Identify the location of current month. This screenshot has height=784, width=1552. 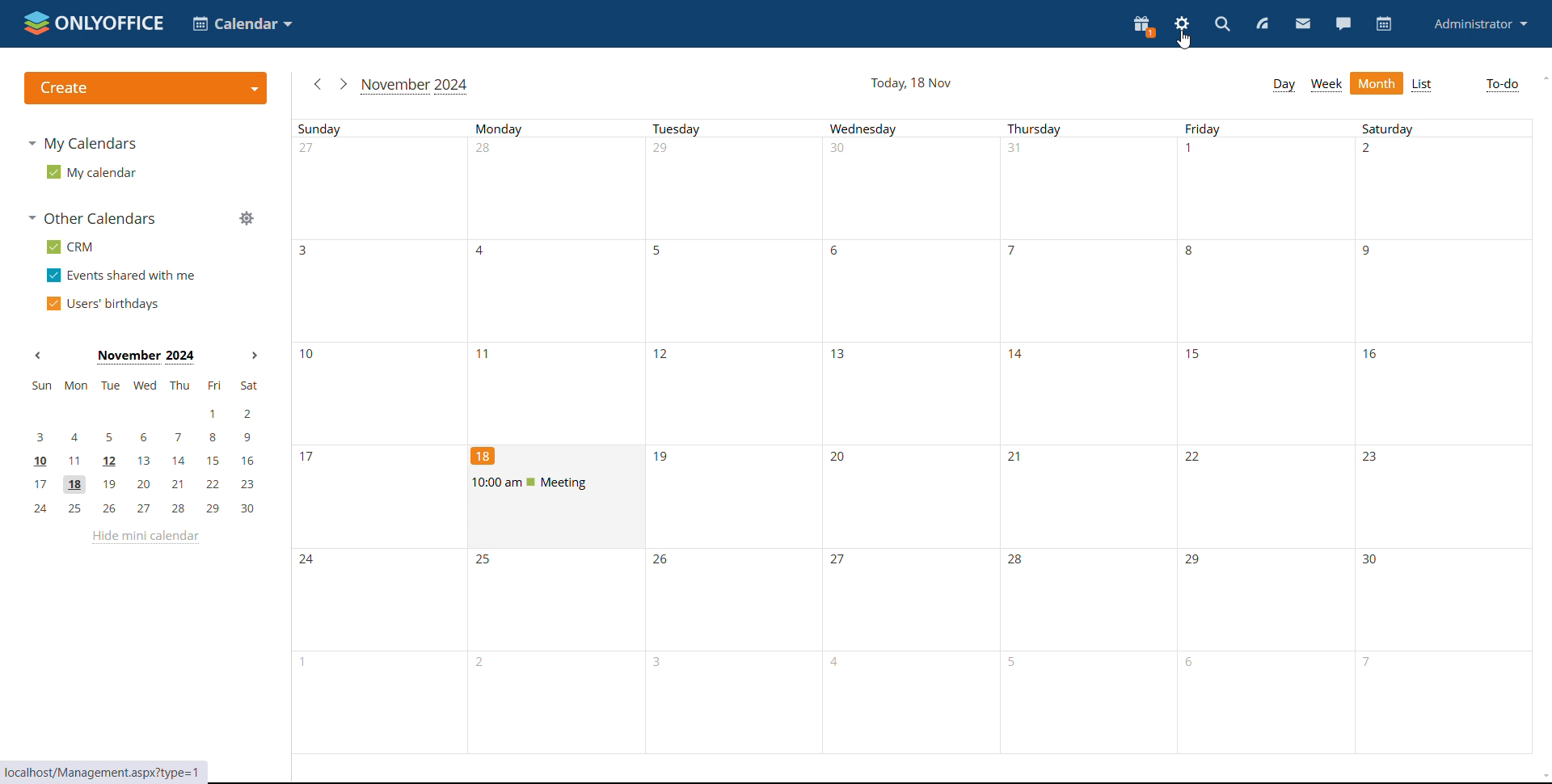
(415, 86).